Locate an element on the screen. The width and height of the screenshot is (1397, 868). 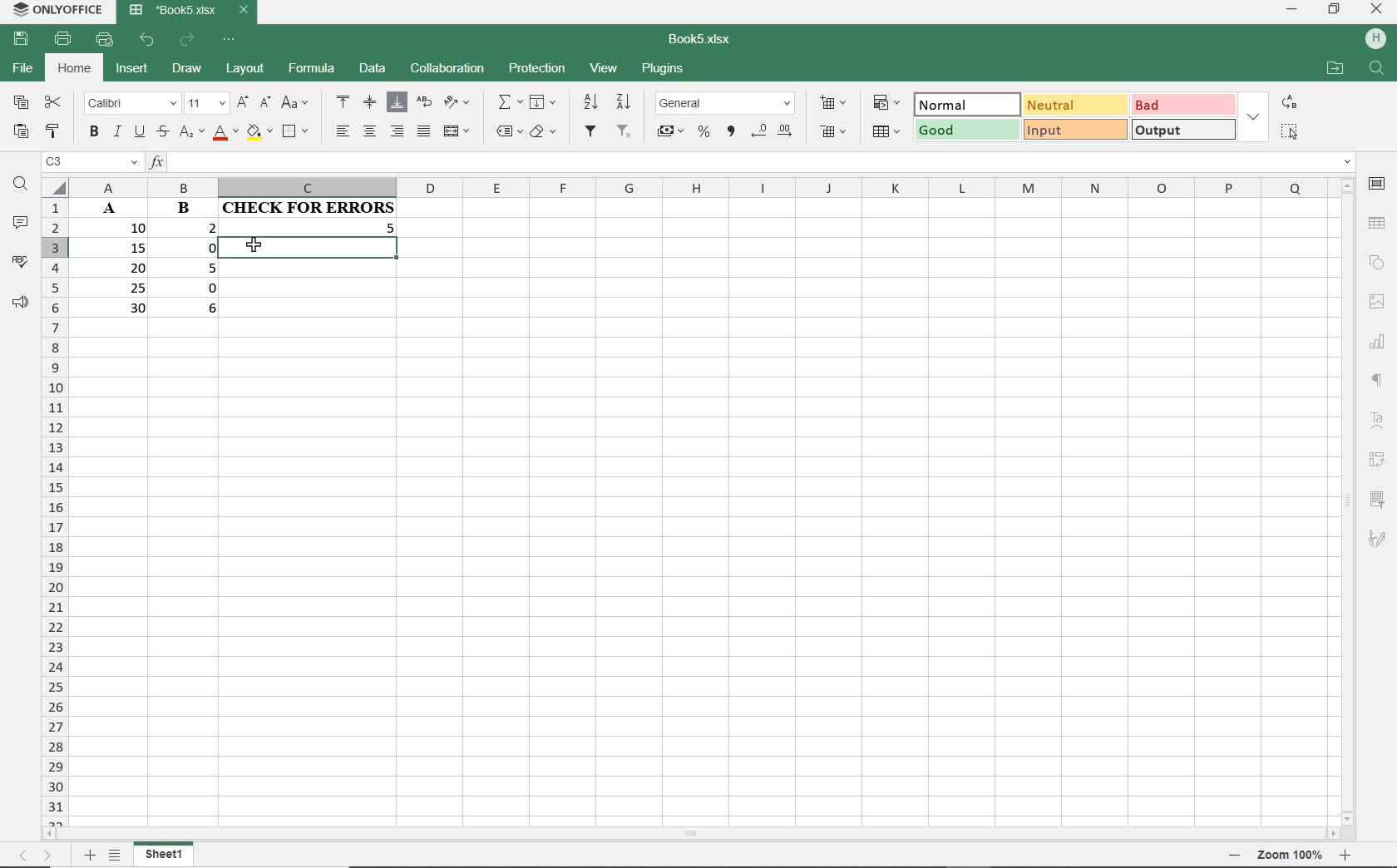
CHANGE DECIMAL is located at coordinates (774, 133).